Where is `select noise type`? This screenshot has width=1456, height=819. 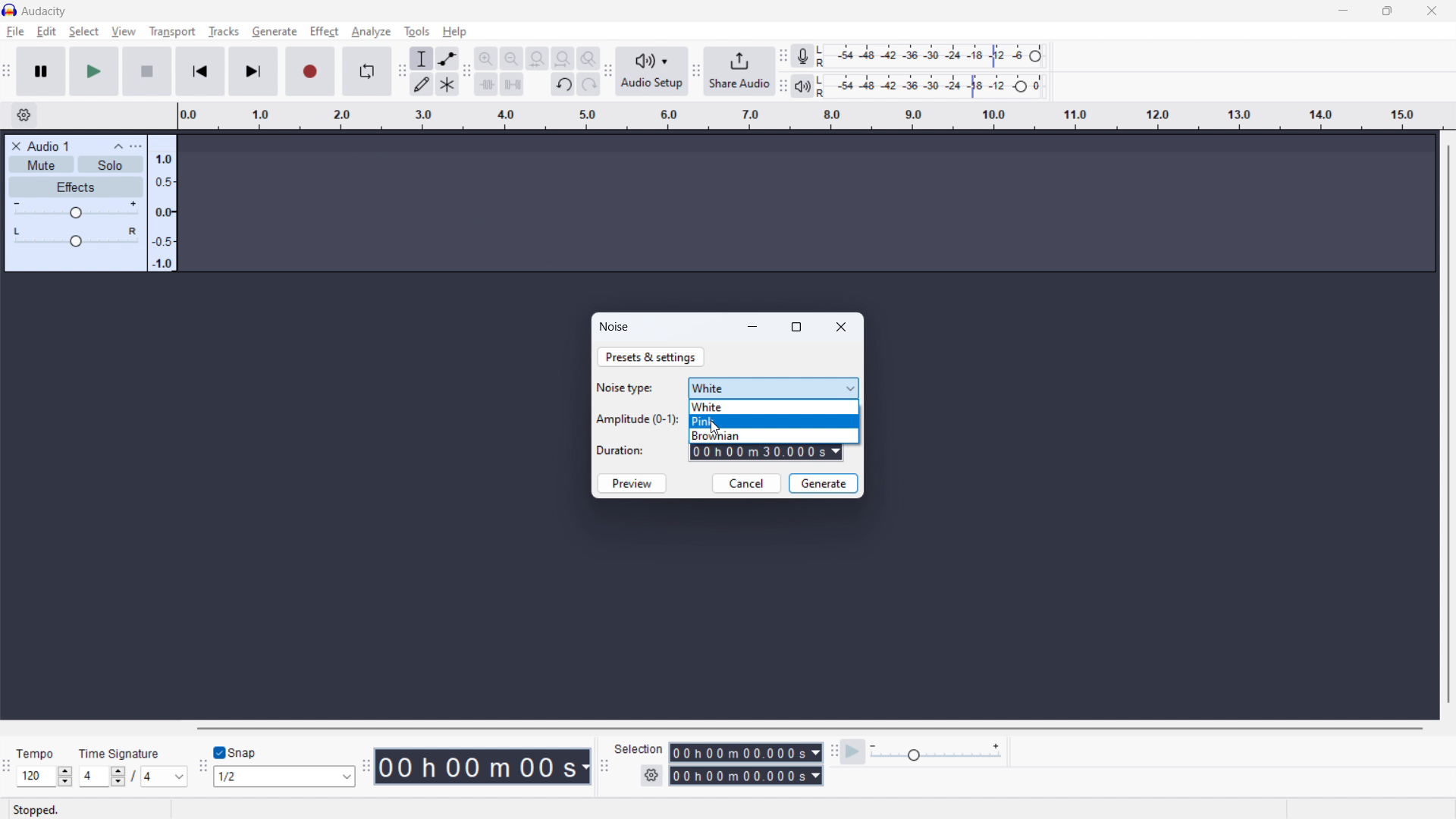 select noise type is located at coordinates (773, 388).